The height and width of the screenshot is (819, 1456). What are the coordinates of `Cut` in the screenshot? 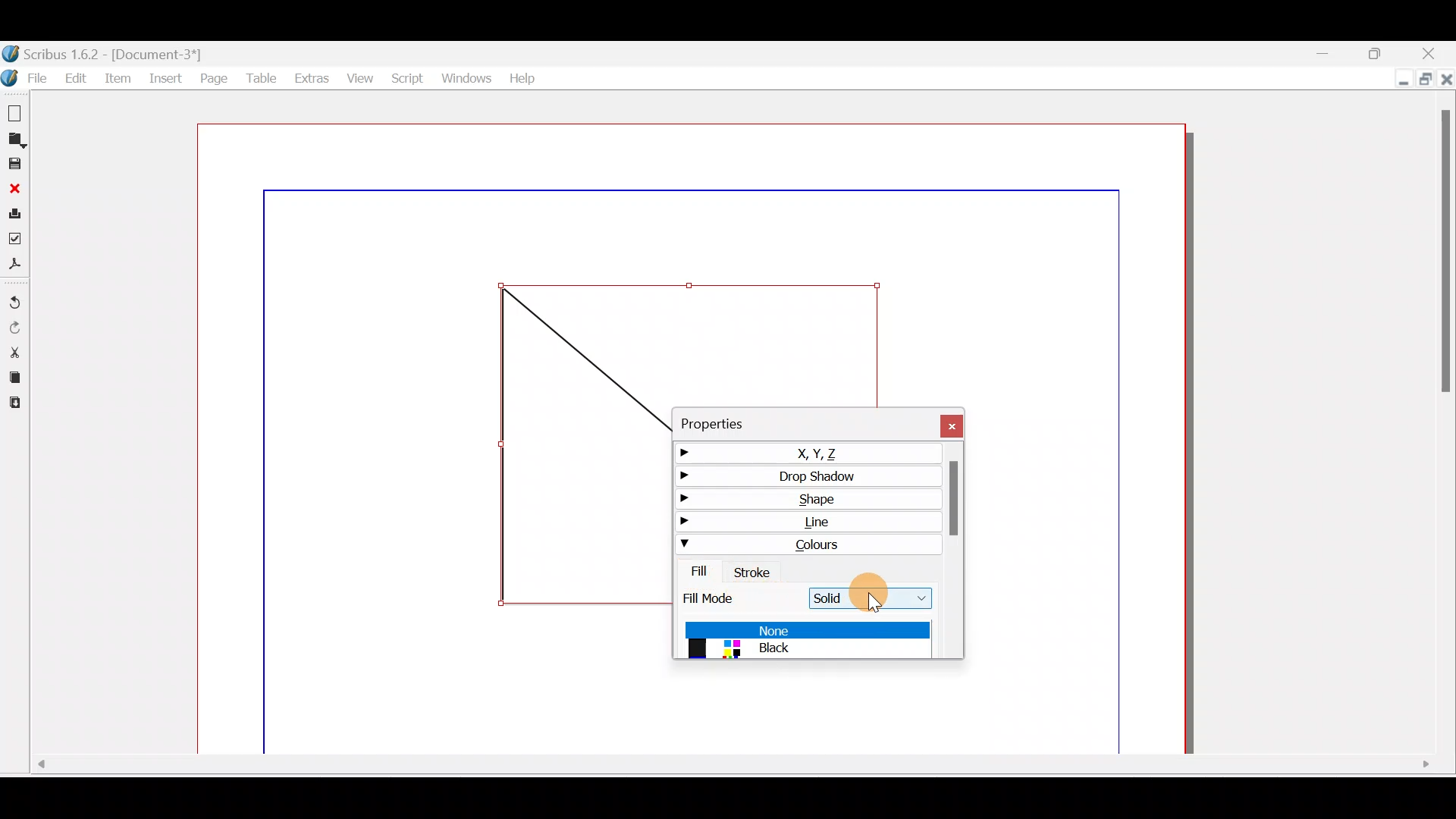 It's located at (14, 351).